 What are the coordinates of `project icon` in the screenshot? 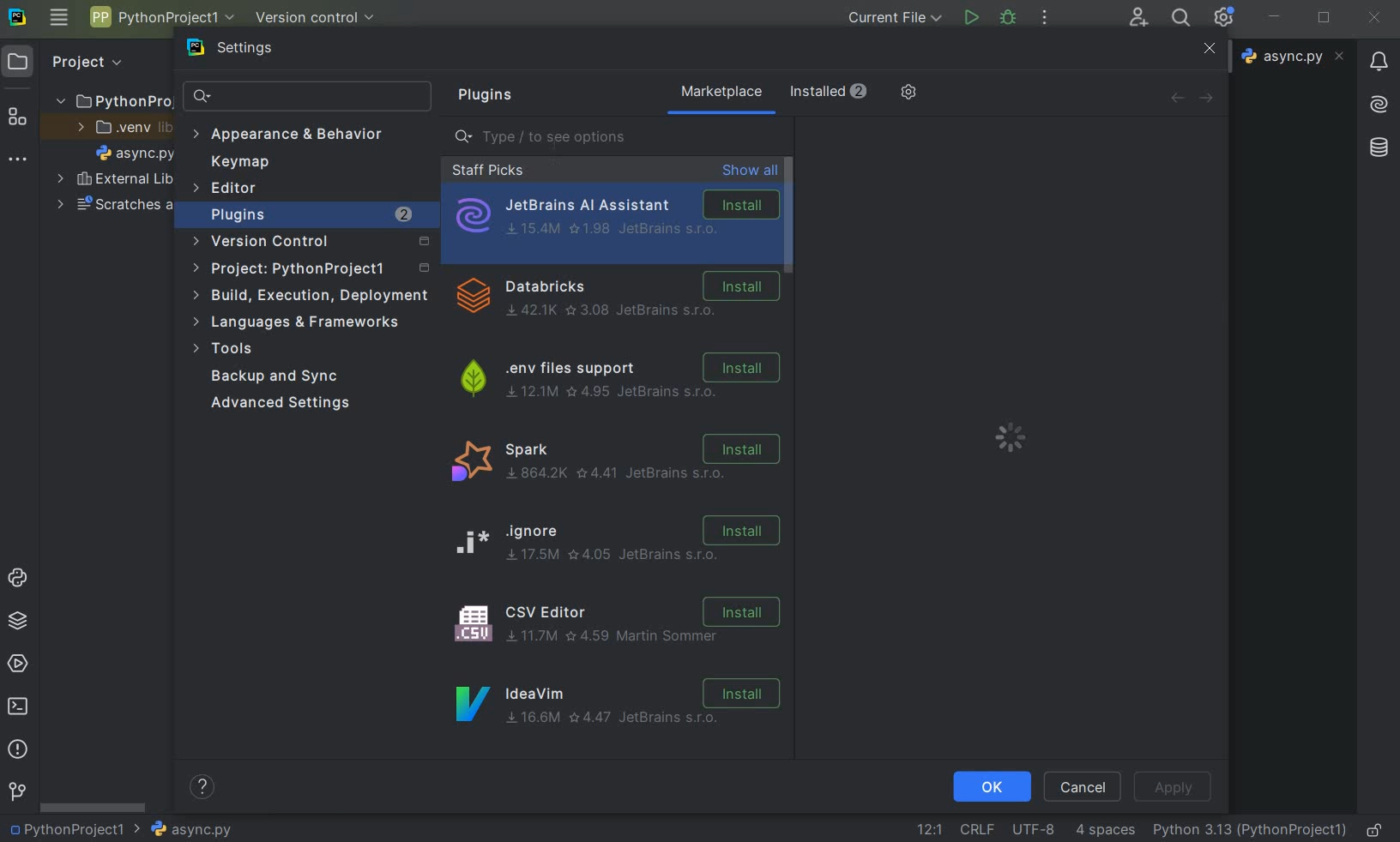 It's located at (21, 62).